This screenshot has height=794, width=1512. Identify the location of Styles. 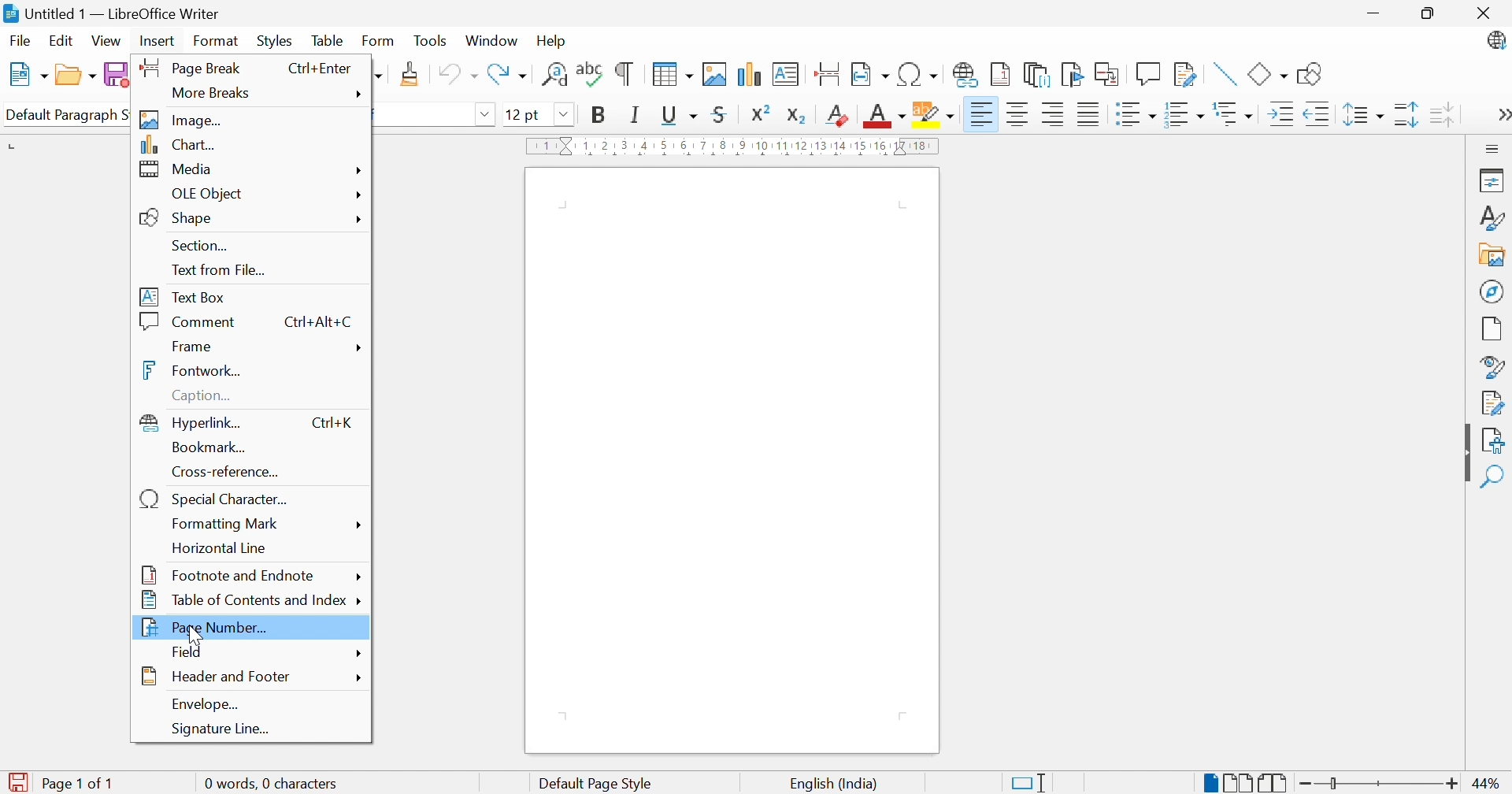
(1495, 217).